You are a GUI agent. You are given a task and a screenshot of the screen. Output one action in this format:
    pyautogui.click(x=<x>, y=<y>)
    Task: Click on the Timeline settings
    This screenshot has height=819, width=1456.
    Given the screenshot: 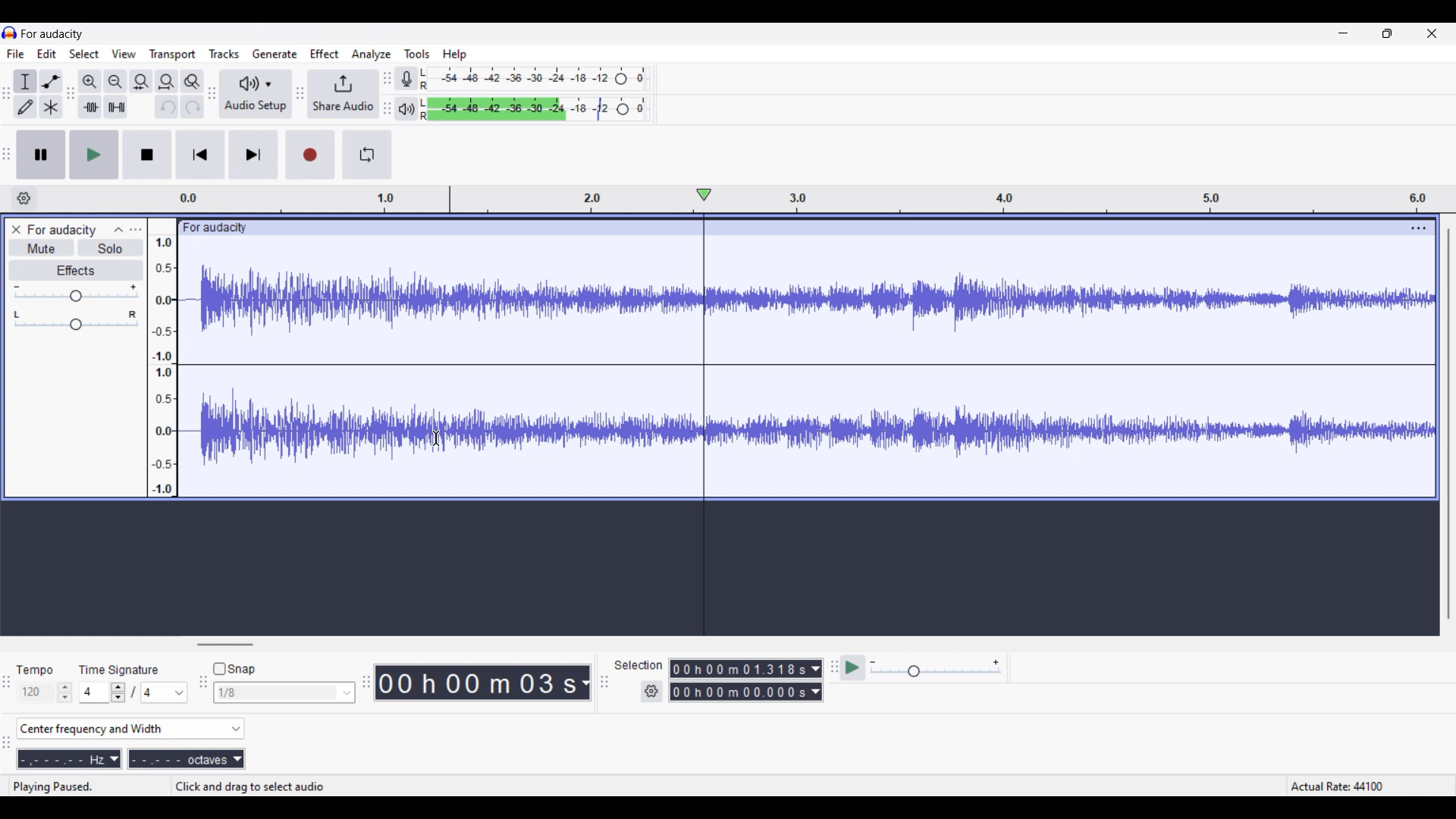 What is the action you would take?
    pyautogui.click(x=24, y=199)
    